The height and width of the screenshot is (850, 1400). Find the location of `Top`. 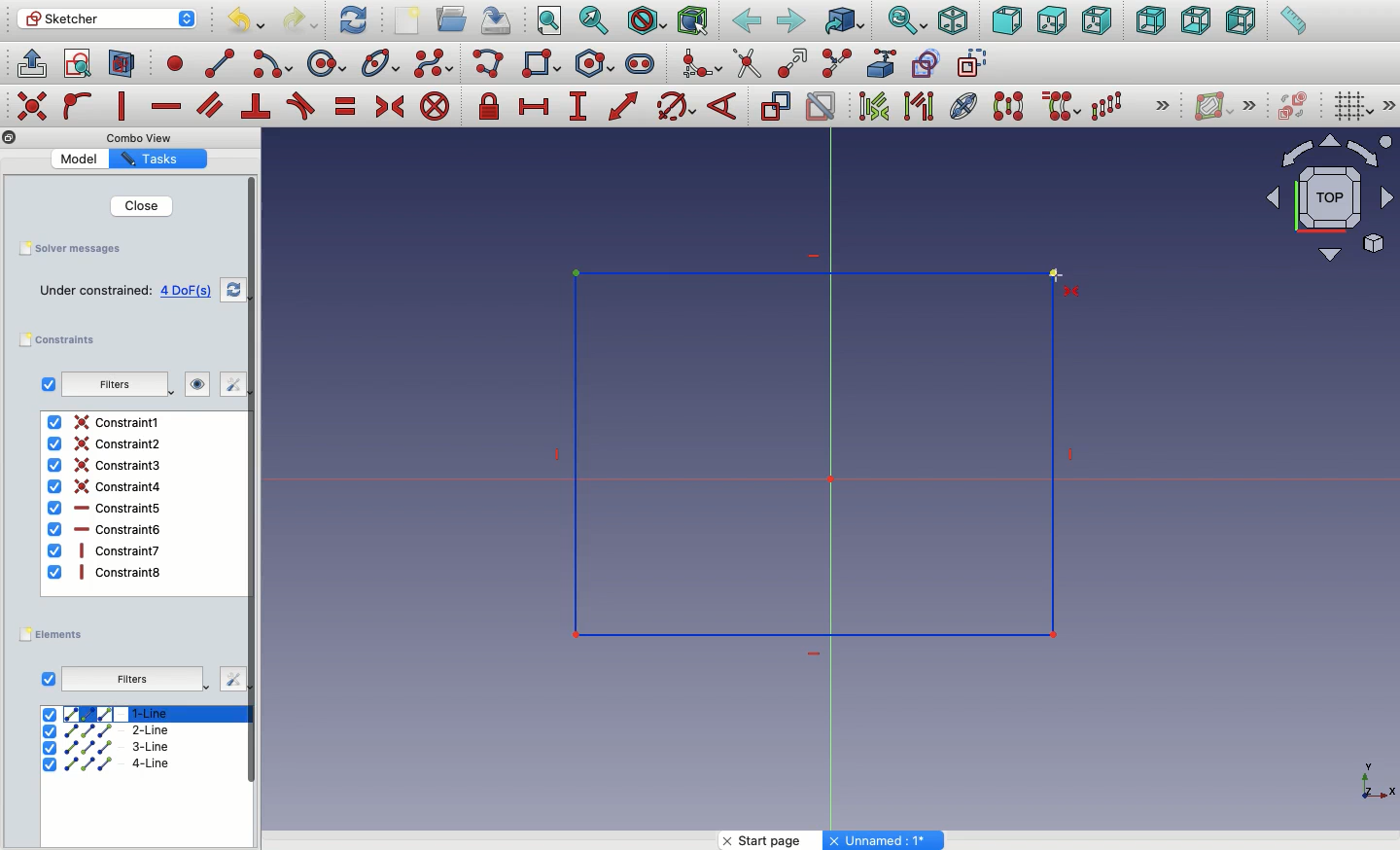

Top is located at coordinates (1051, 21).